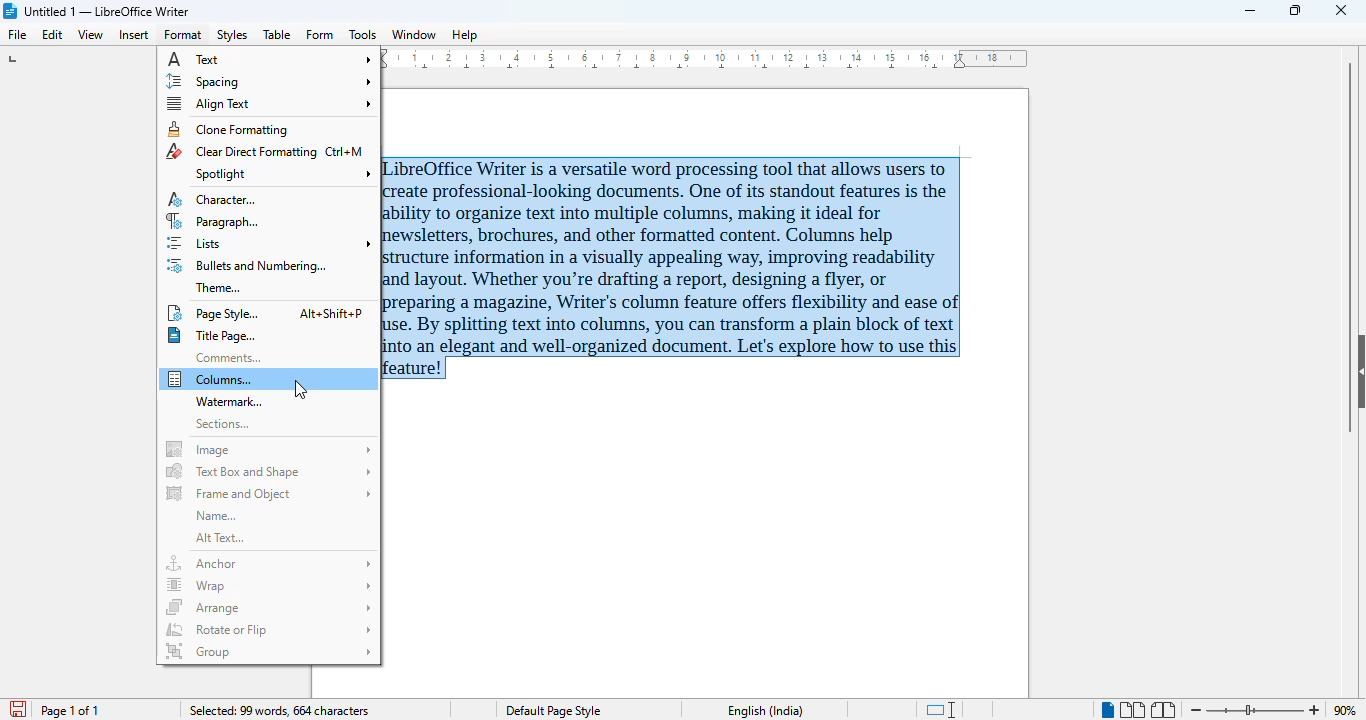 The height and width of the screenshot is (720, 1366). I want to click on minimize, so click(1252, 11).